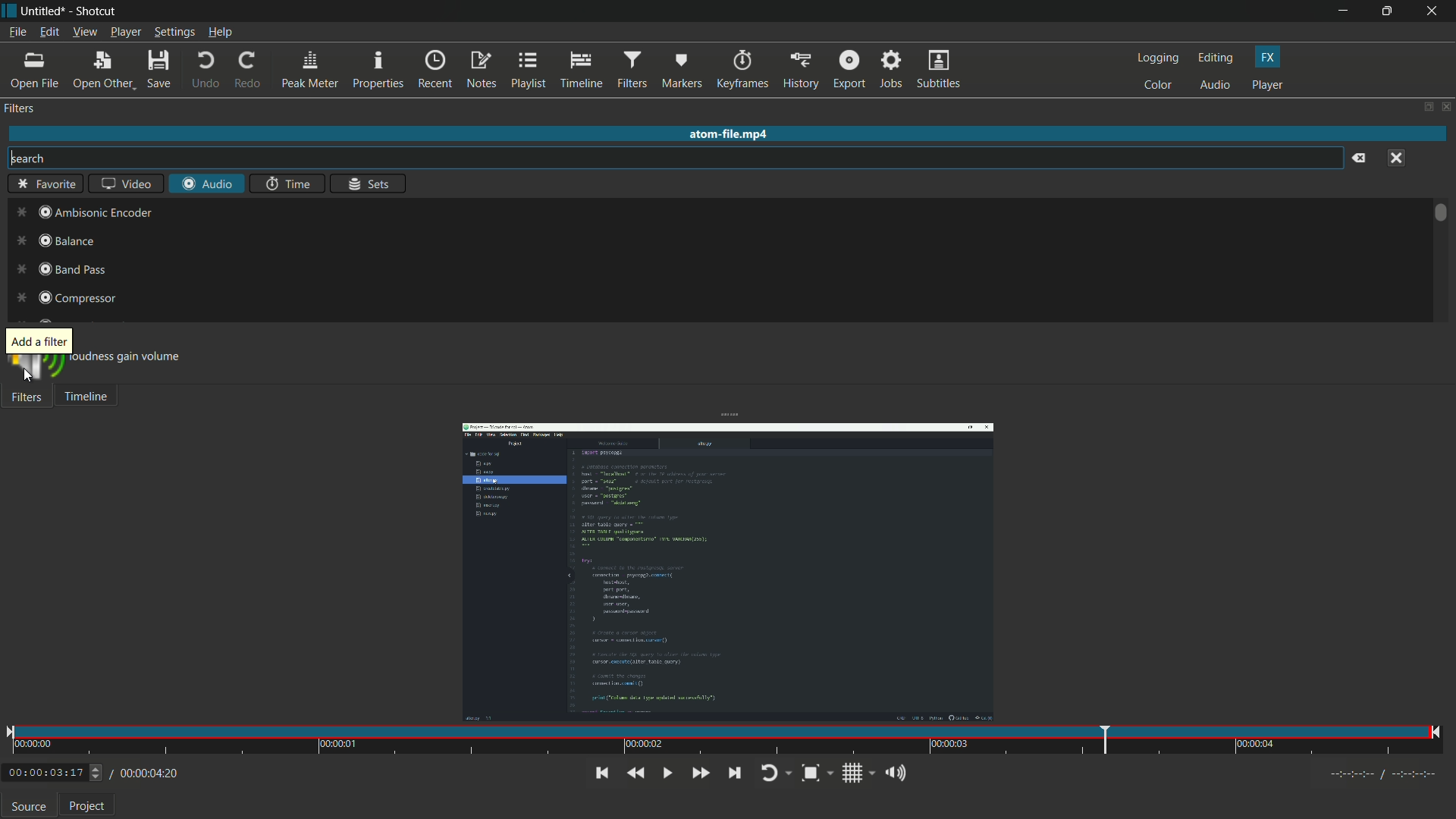 Image resolution: width=1456 pixels, height=819 pixels. What do you see at coordinates (1441, 215) in the screenshot?
I see `scroll bar` at bounding box center [1441, 215].